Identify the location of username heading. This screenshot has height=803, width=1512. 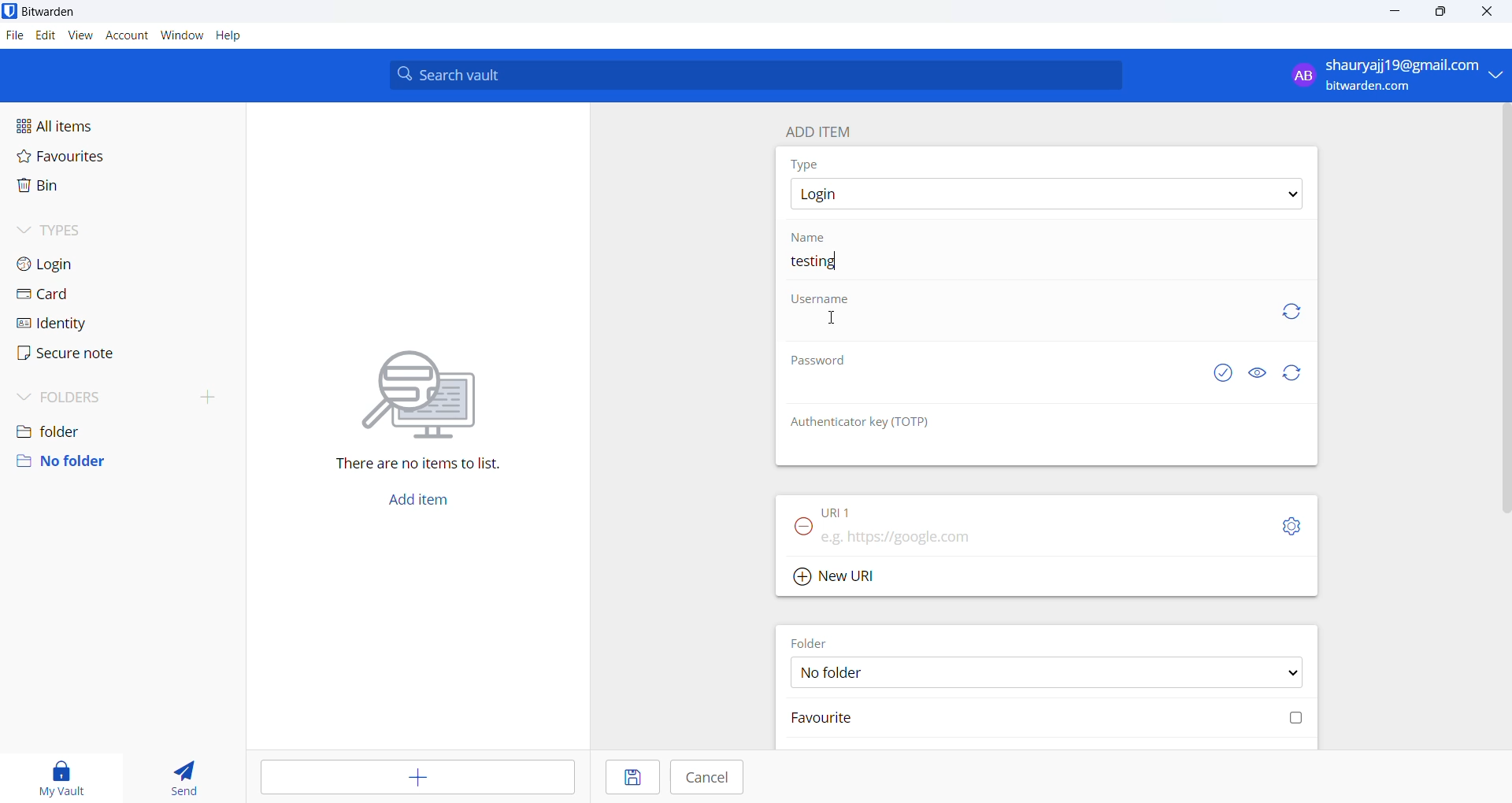
(821, 301).